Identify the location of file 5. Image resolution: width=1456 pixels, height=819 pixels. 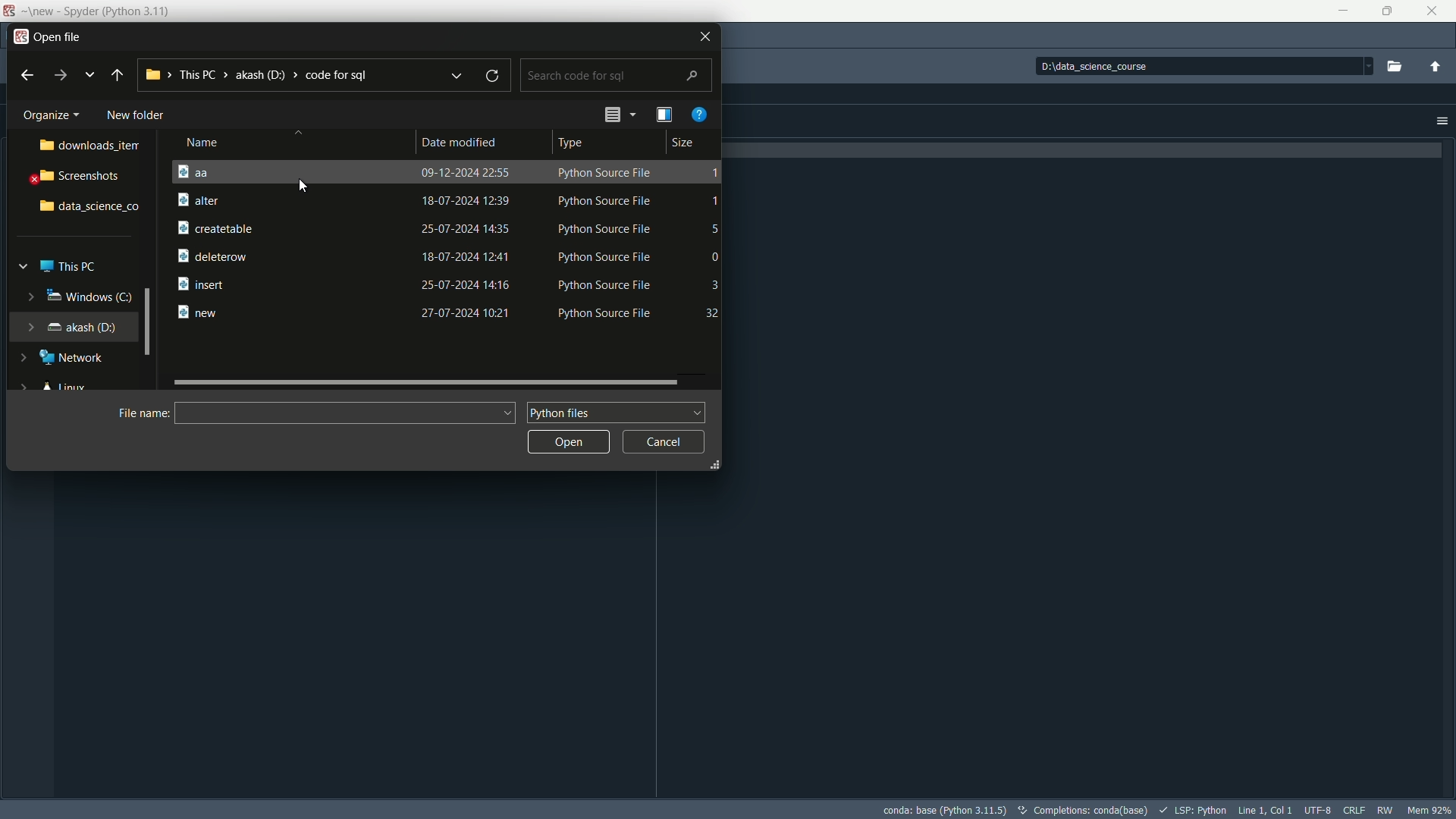
(447, 285).